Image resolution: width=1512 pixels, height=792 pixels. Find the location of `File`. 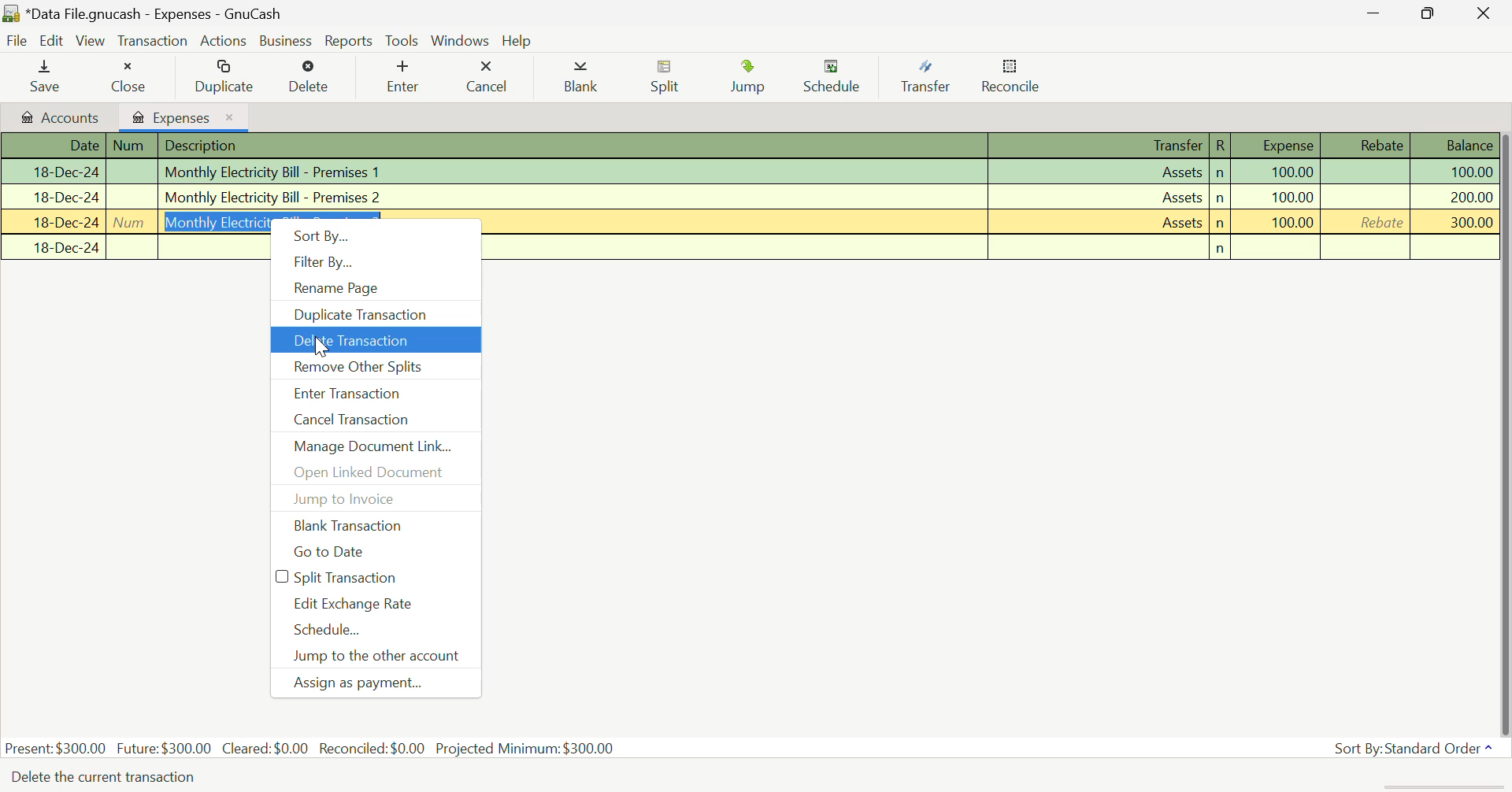

File is located at coordinates (17, 42).